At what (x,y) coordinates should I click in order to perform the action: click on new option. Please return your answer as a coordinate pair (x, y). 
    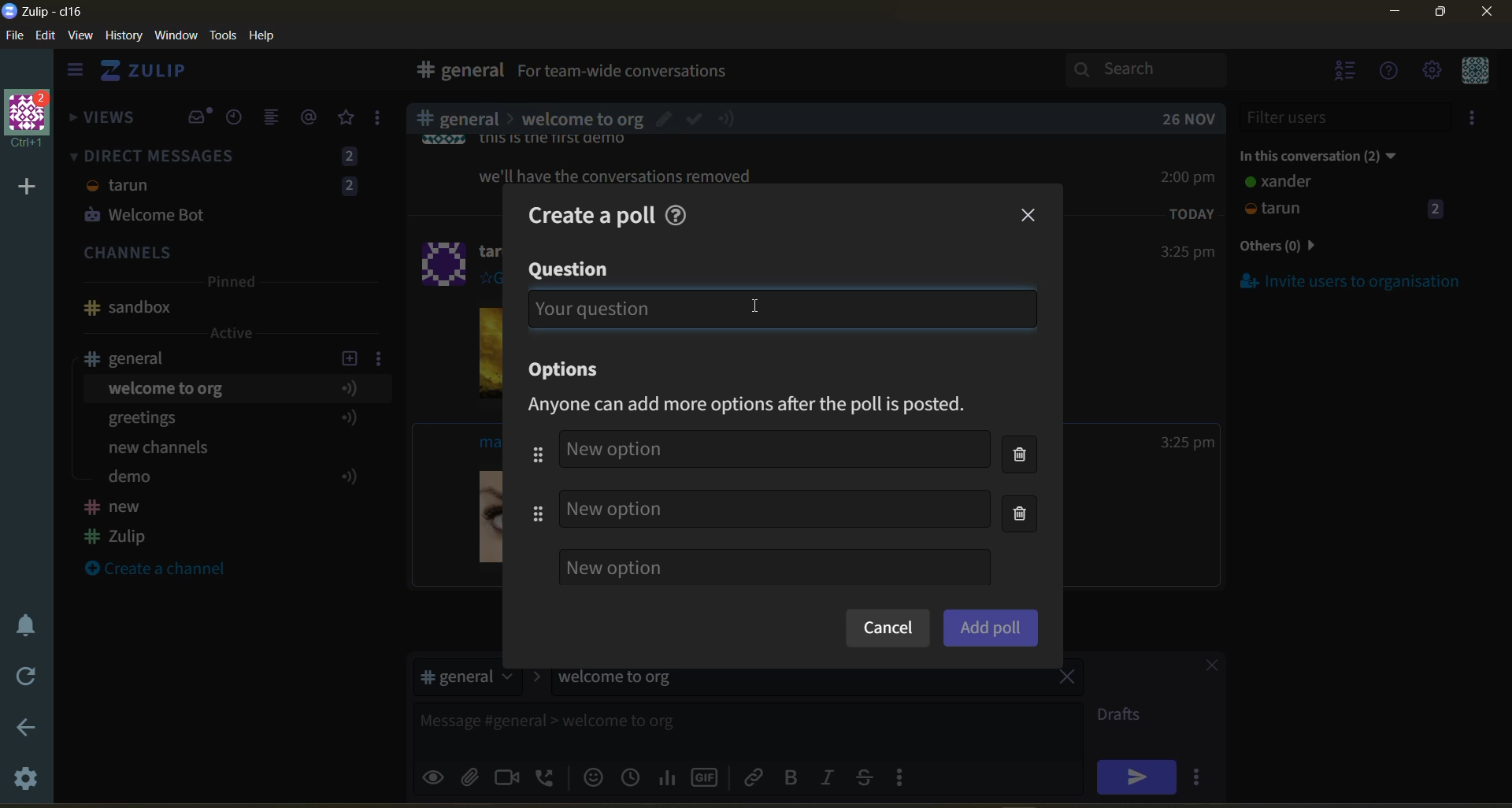
    Looking at the image, I should click on (773, 450).